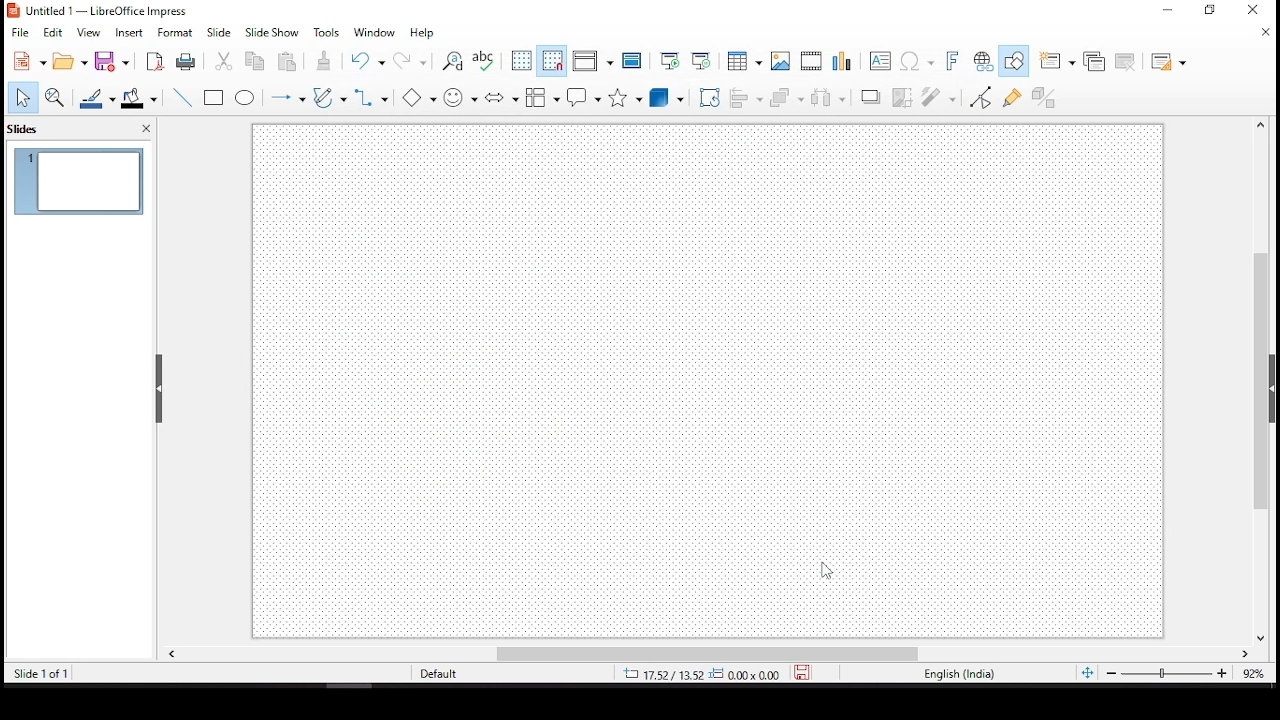  Describe the element at coordinates (186, 63) in the screenshot. I see `print` at that location.